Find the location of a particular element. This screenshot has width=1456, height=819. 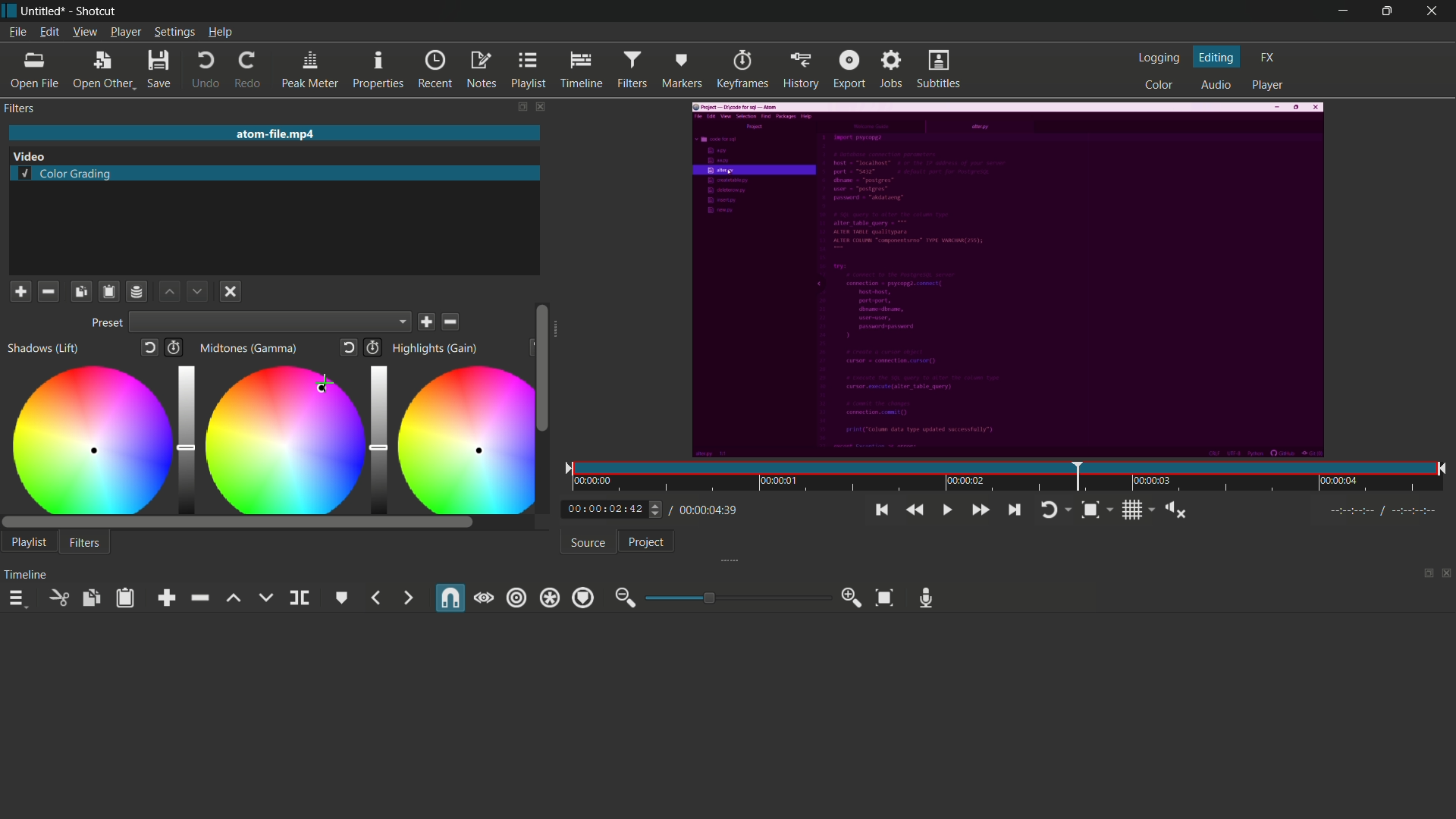

toggle buttons is located at coordinates (657, 508).